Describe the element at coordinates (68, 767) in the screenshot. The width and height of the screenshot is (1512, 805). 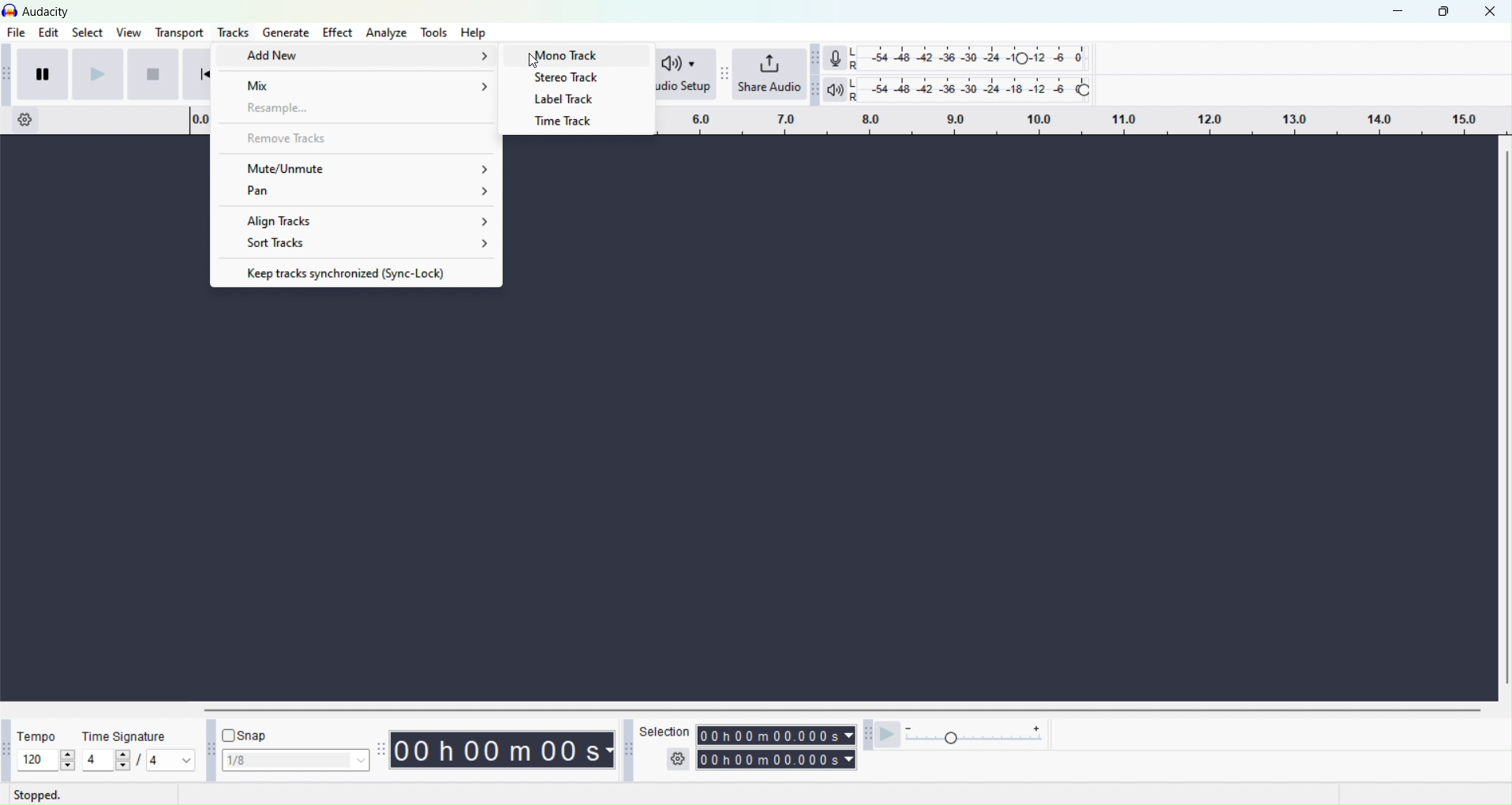
I see `decrease tempo` at that location.